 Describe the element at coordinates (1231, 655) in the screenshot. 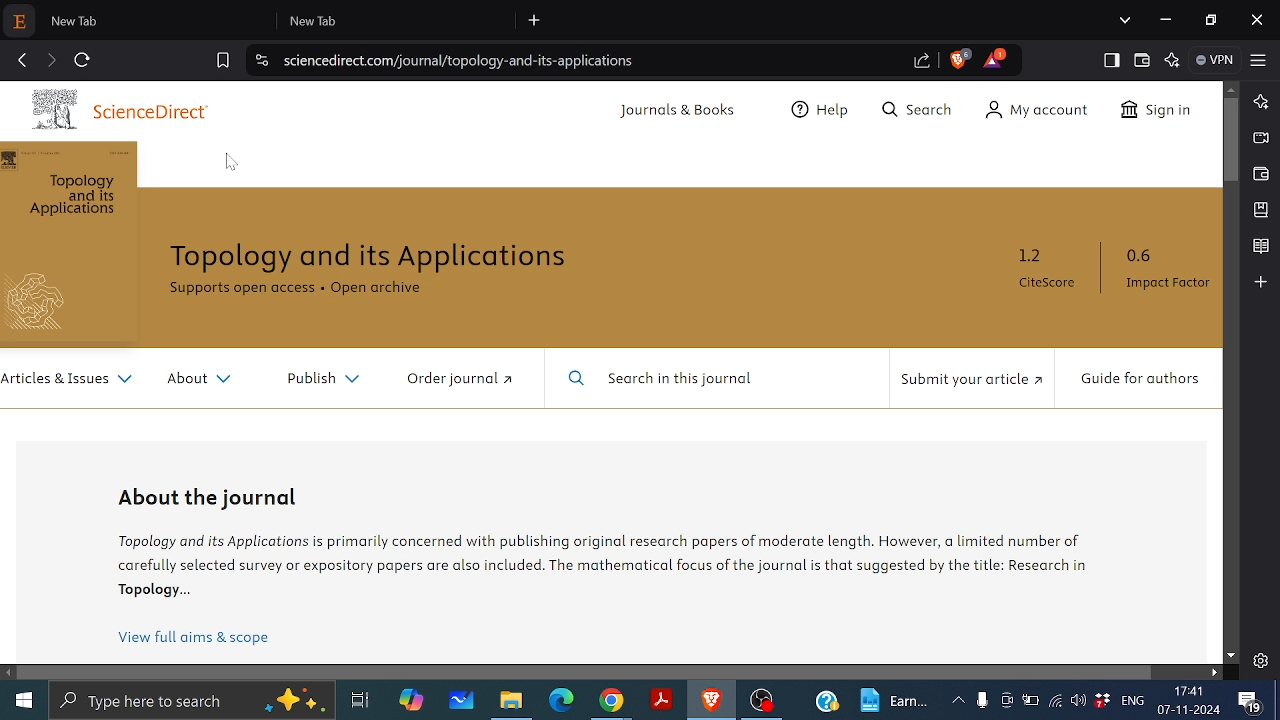

I see `Move down` at that location.